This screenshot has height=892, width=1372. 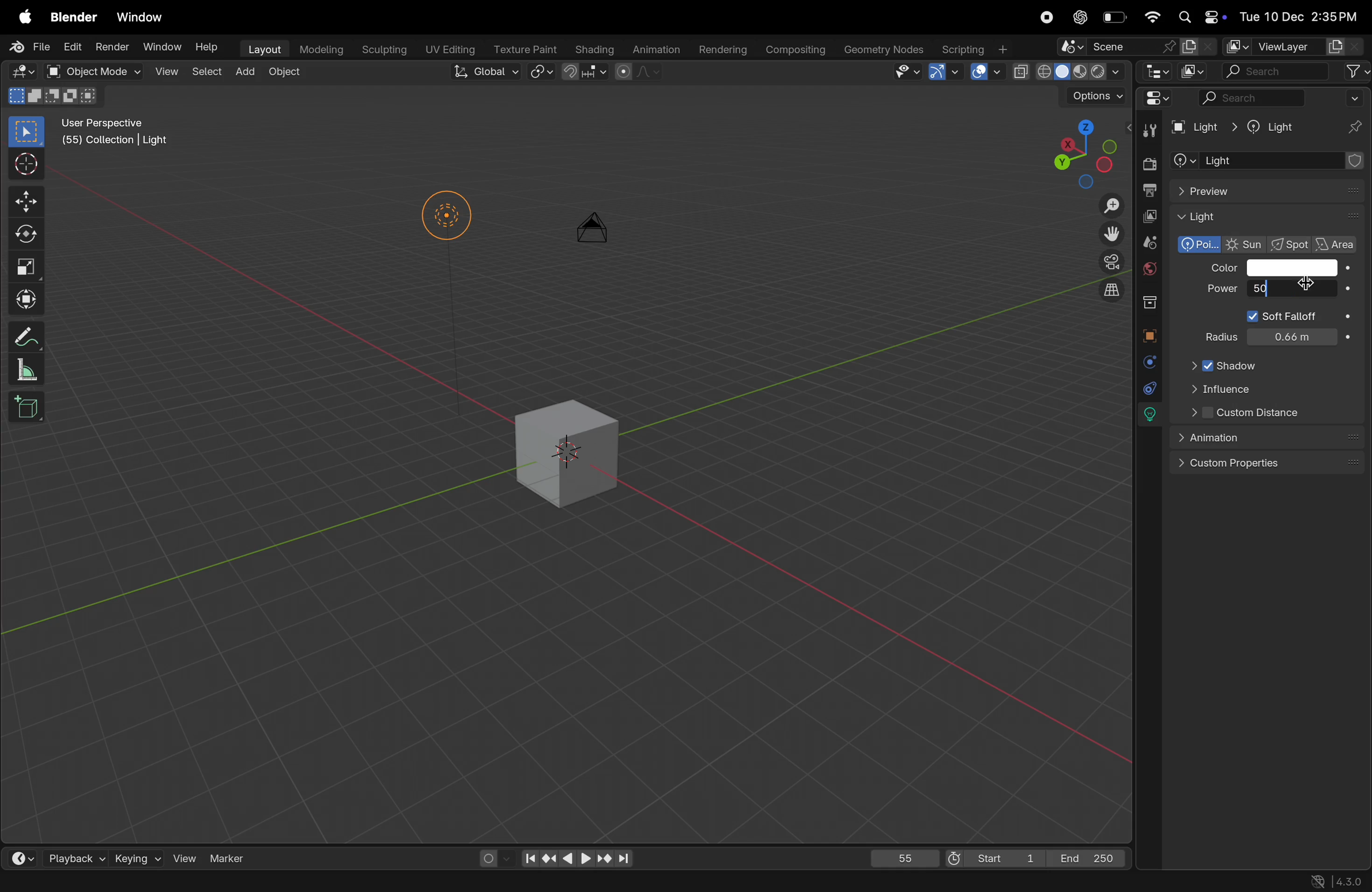 What do you see at coordinates (1114, 207) in the screenshot?
I see `Zoom` at bounding box center [1114, 207].